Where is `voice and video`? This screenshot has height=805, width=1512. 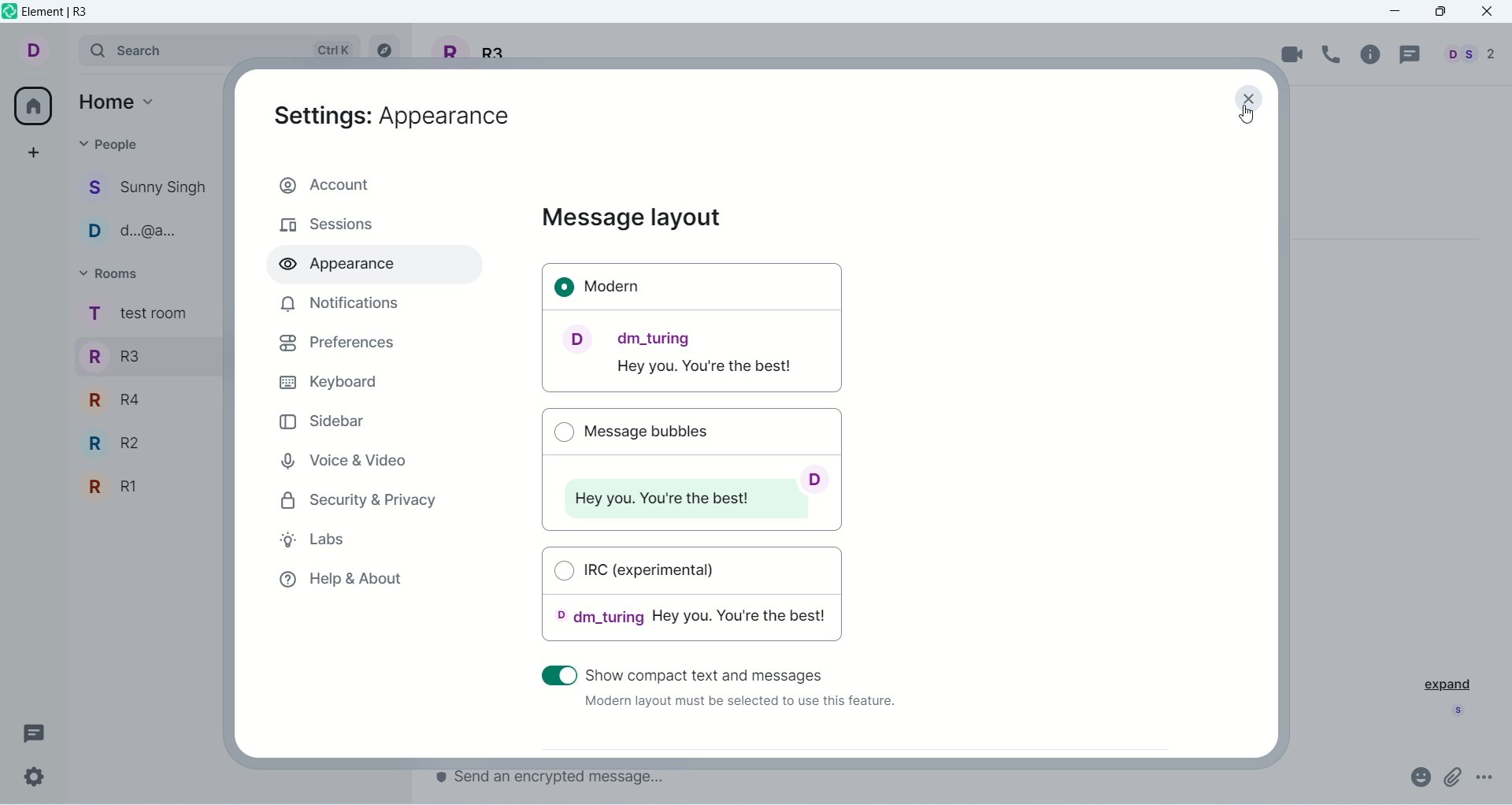
voice and video is located at coordinates (341, 458).